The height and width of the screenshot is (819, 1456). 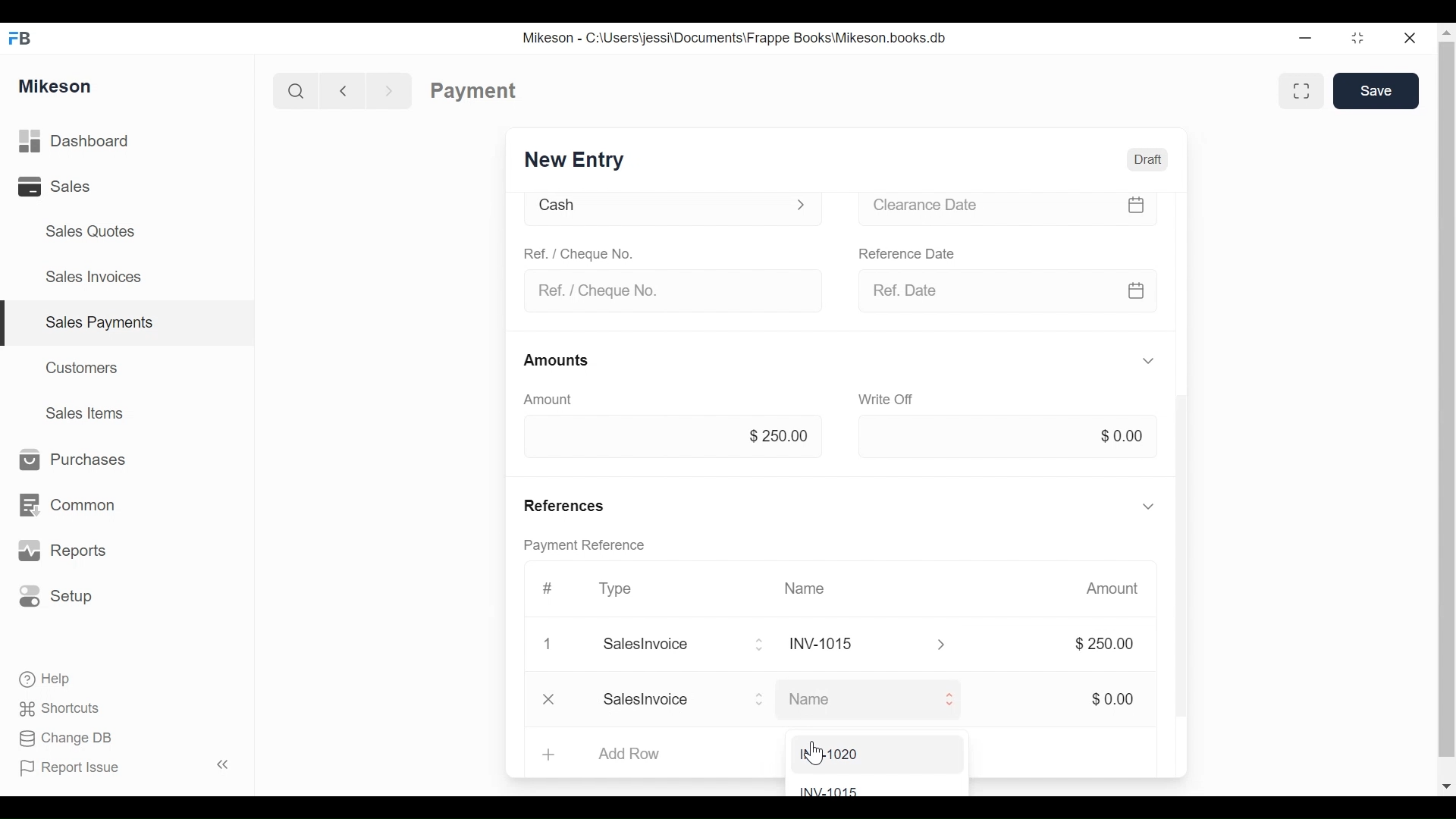 I want to click on Change DB, so click(x=70, y=739).